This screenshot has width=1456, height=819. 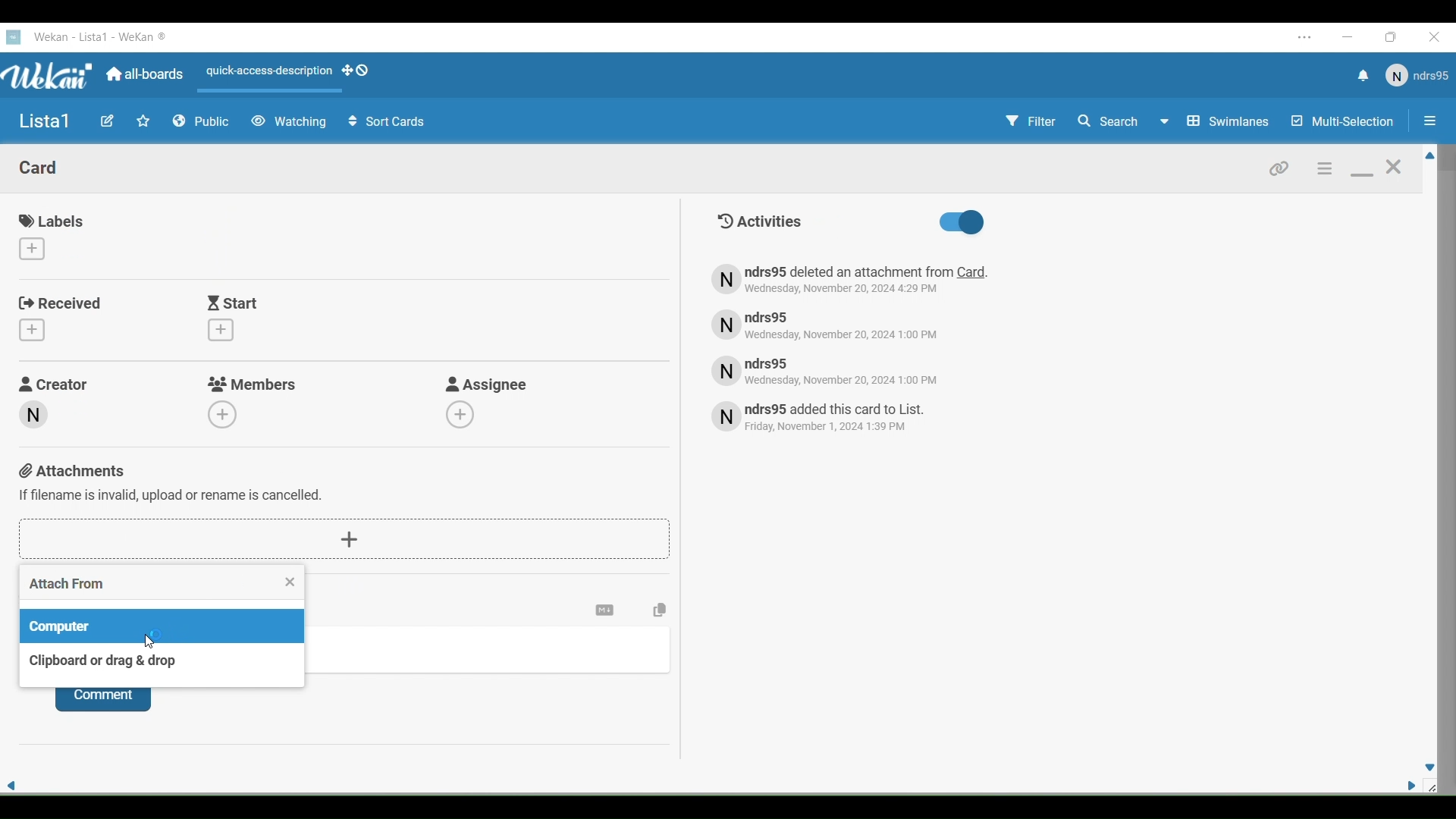 What do you see at coordinates (39, 167) in the screenshot?
I see `Card` at bounding box center [39, 167].